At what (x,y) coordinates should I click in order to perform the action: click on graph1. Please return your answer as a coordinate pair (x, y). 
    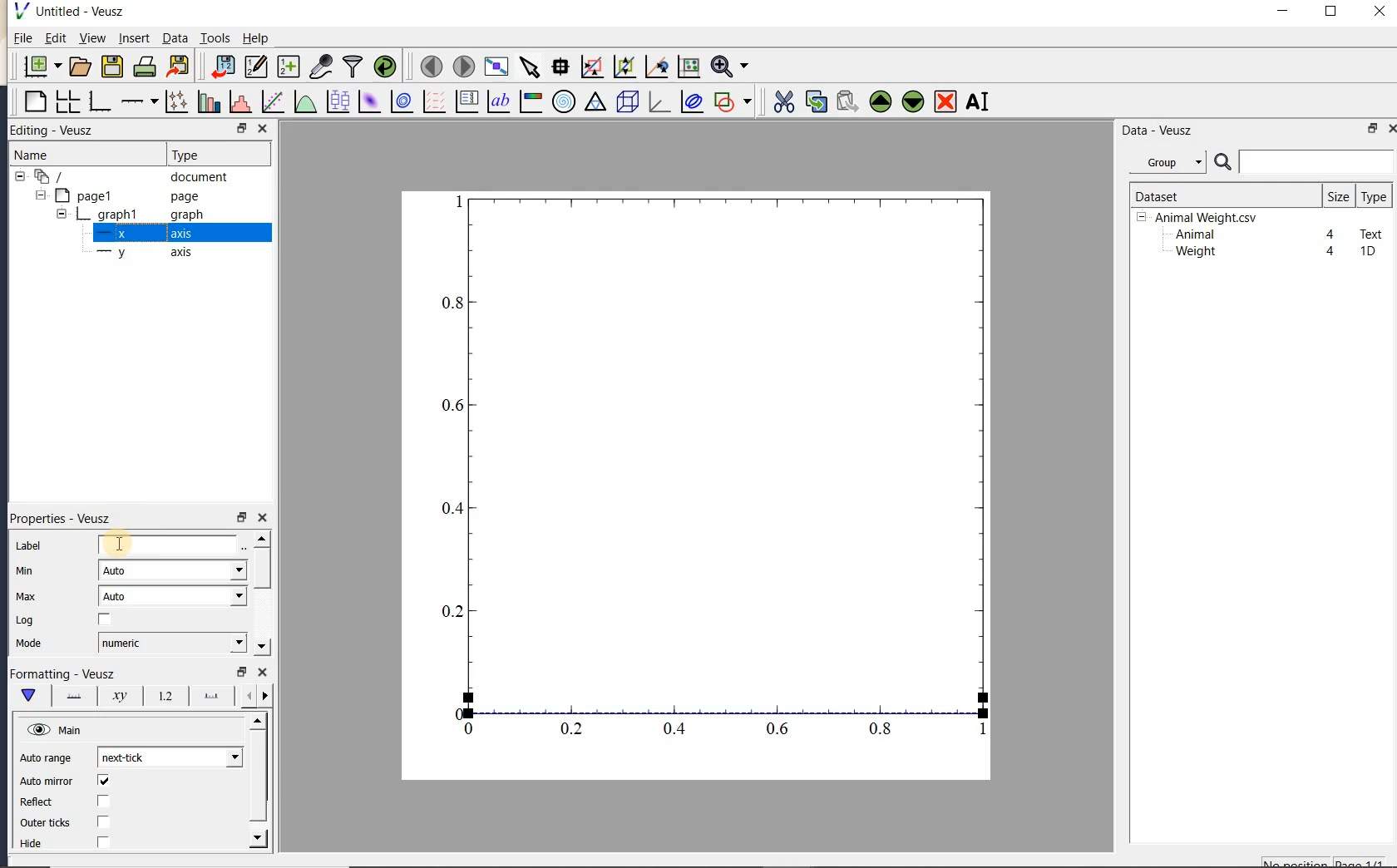
    Looking at the image, I should click on (122, 216).